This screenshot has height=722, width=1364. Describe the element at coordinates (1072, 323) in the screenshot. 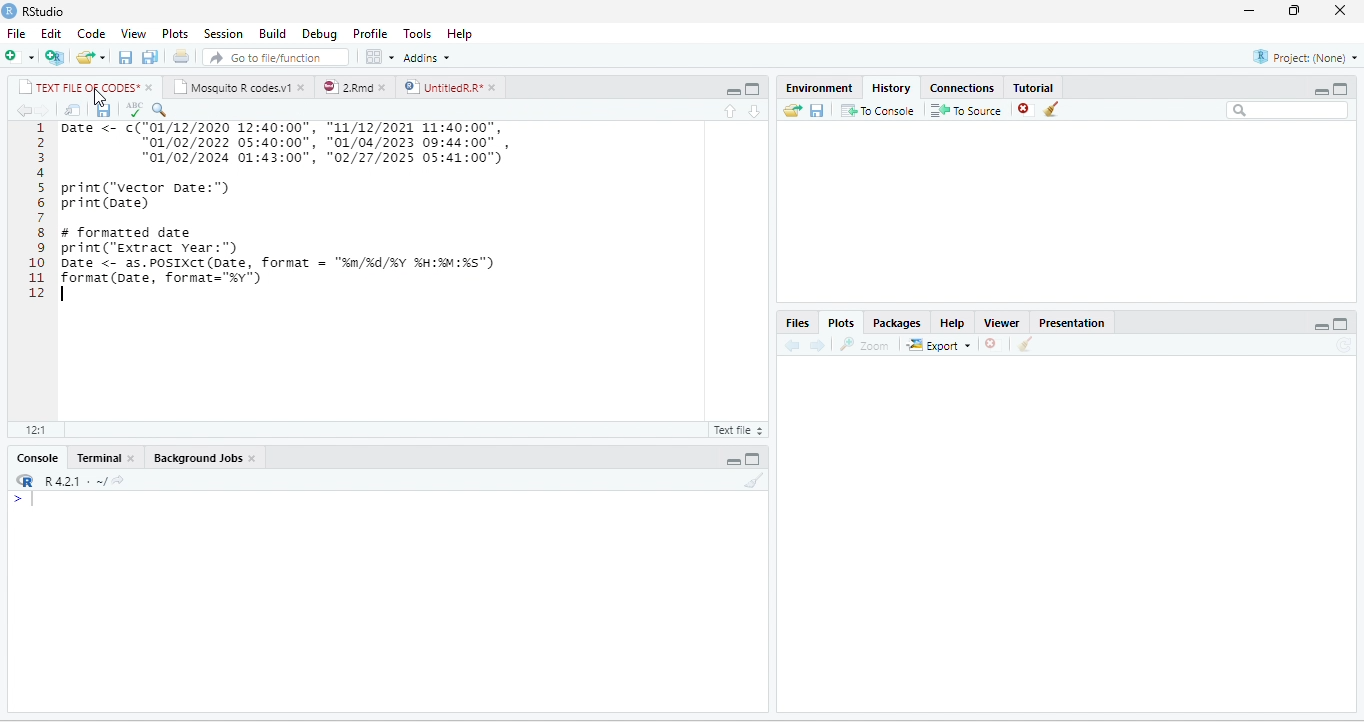

I see `Presentation` at that location.